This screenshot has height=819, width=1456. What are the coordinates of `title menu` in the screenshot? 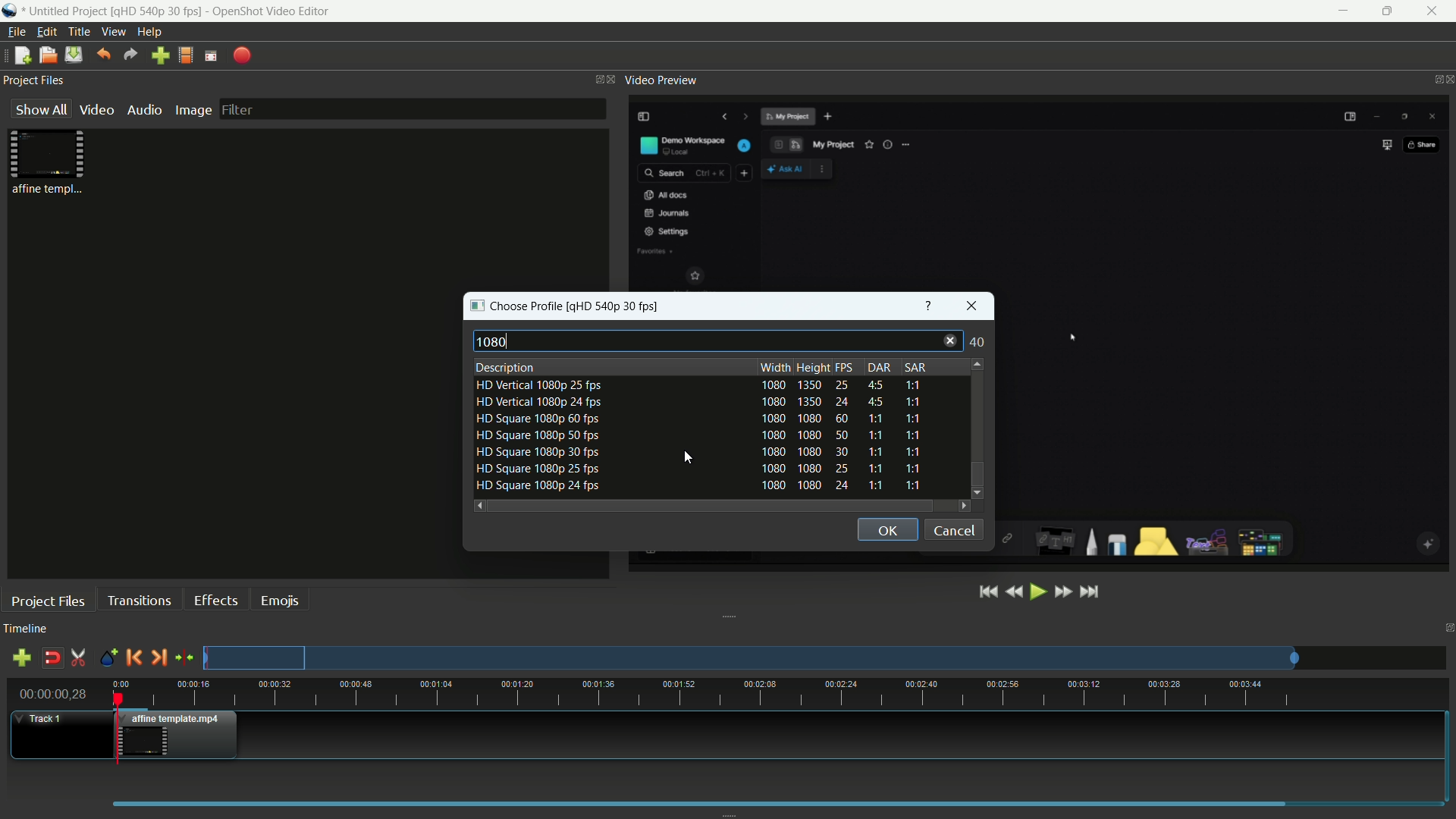 It's located at (80, 32).